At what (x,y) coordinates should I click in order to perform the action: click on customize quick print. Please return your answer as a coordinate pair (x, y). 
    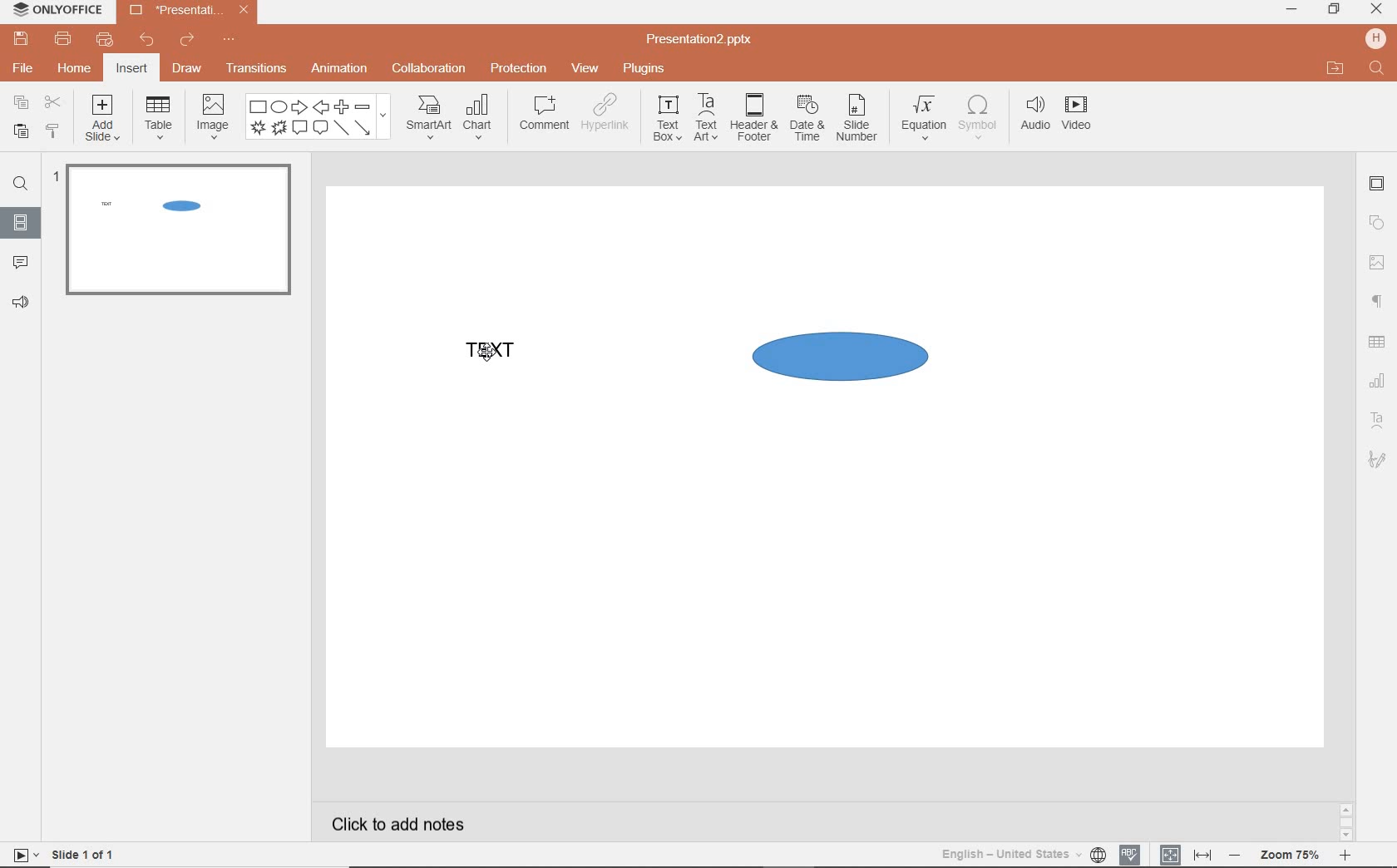
    Looking at the image, I should click on (102, 40).